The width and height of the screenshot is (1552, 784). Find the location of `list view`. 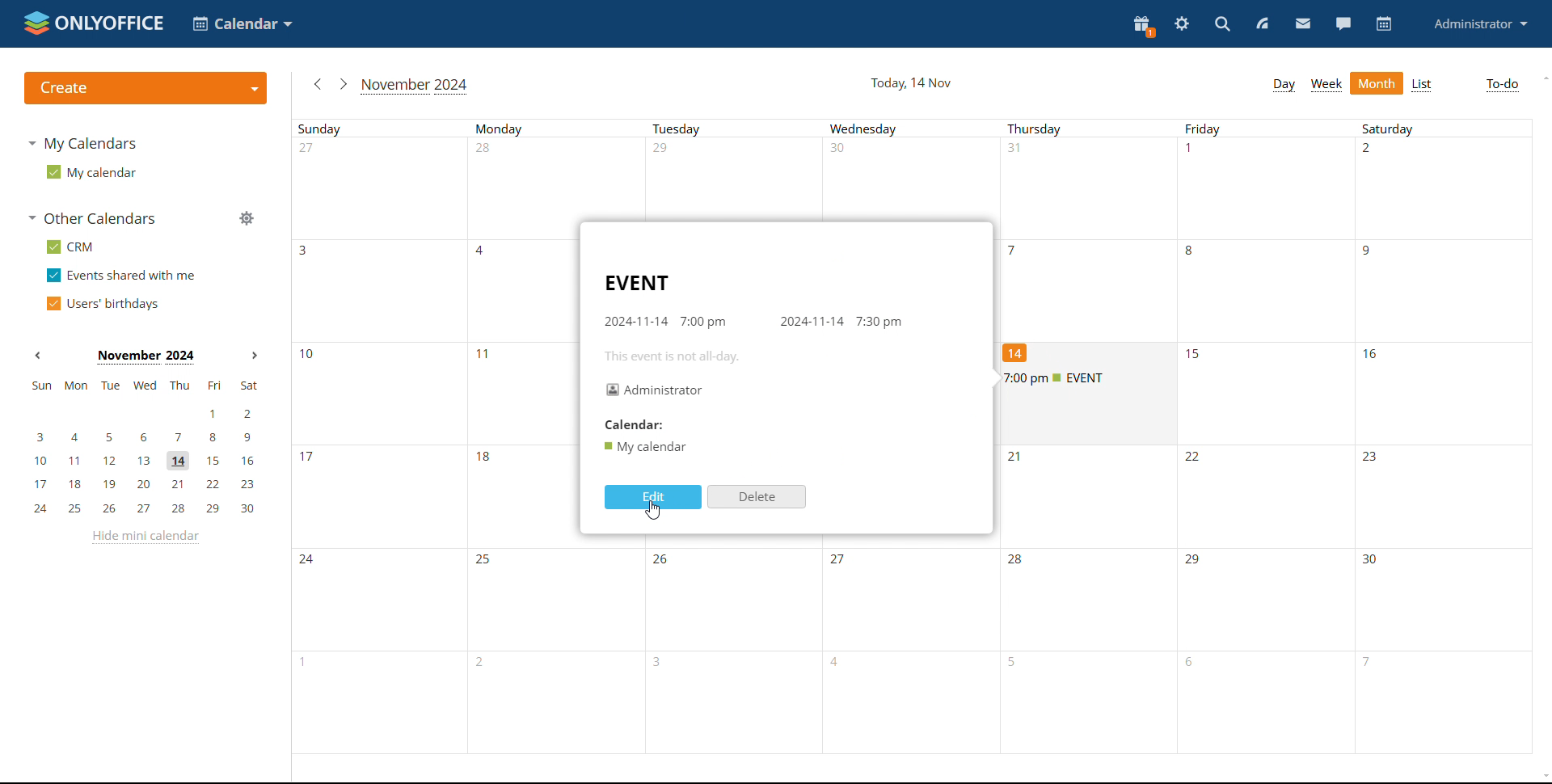

list view is located at coordinates (1423, 85).